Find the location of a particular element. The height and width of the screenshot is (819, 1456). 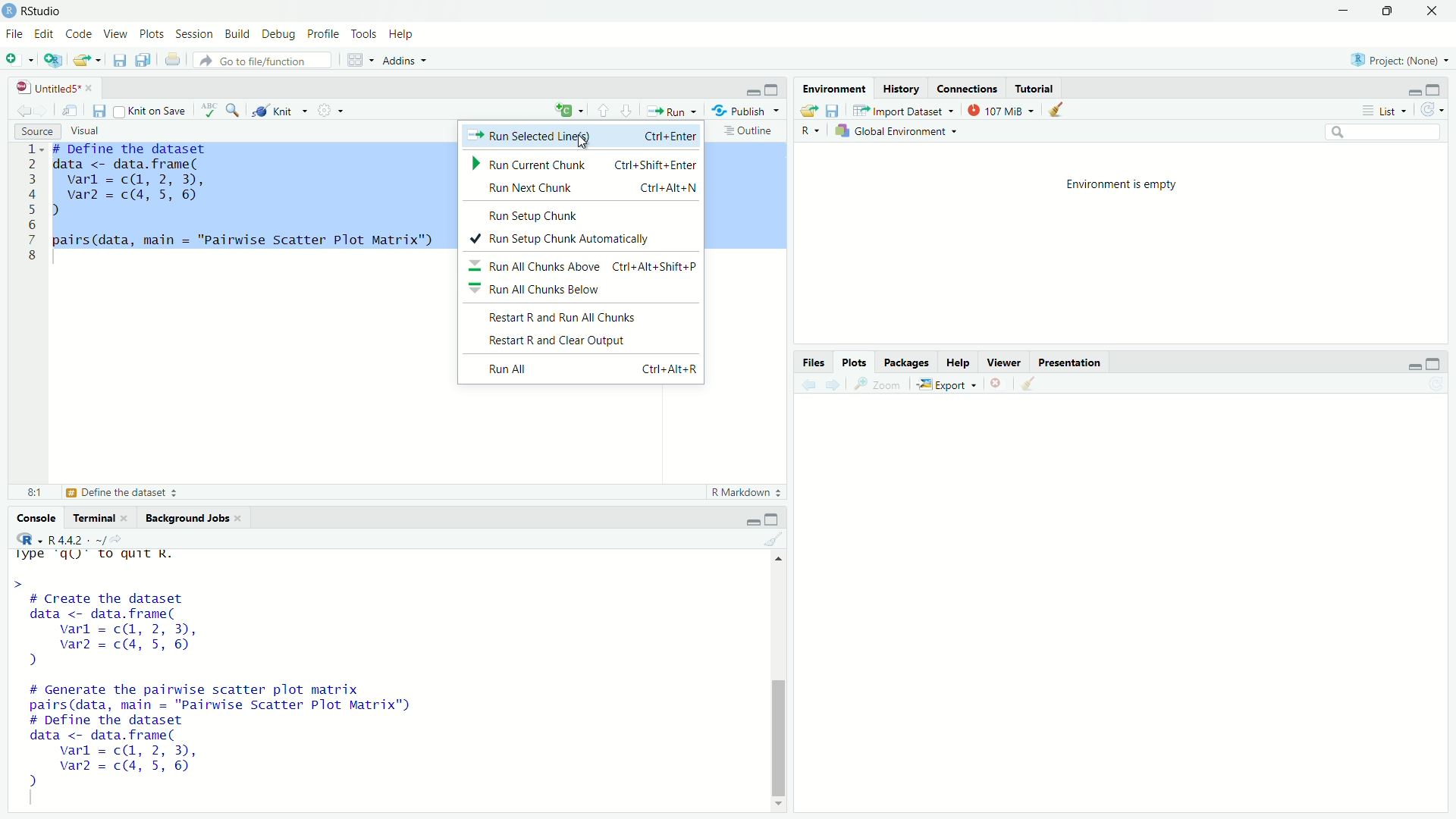

Workspace panes is located at coordinates (357, 58).